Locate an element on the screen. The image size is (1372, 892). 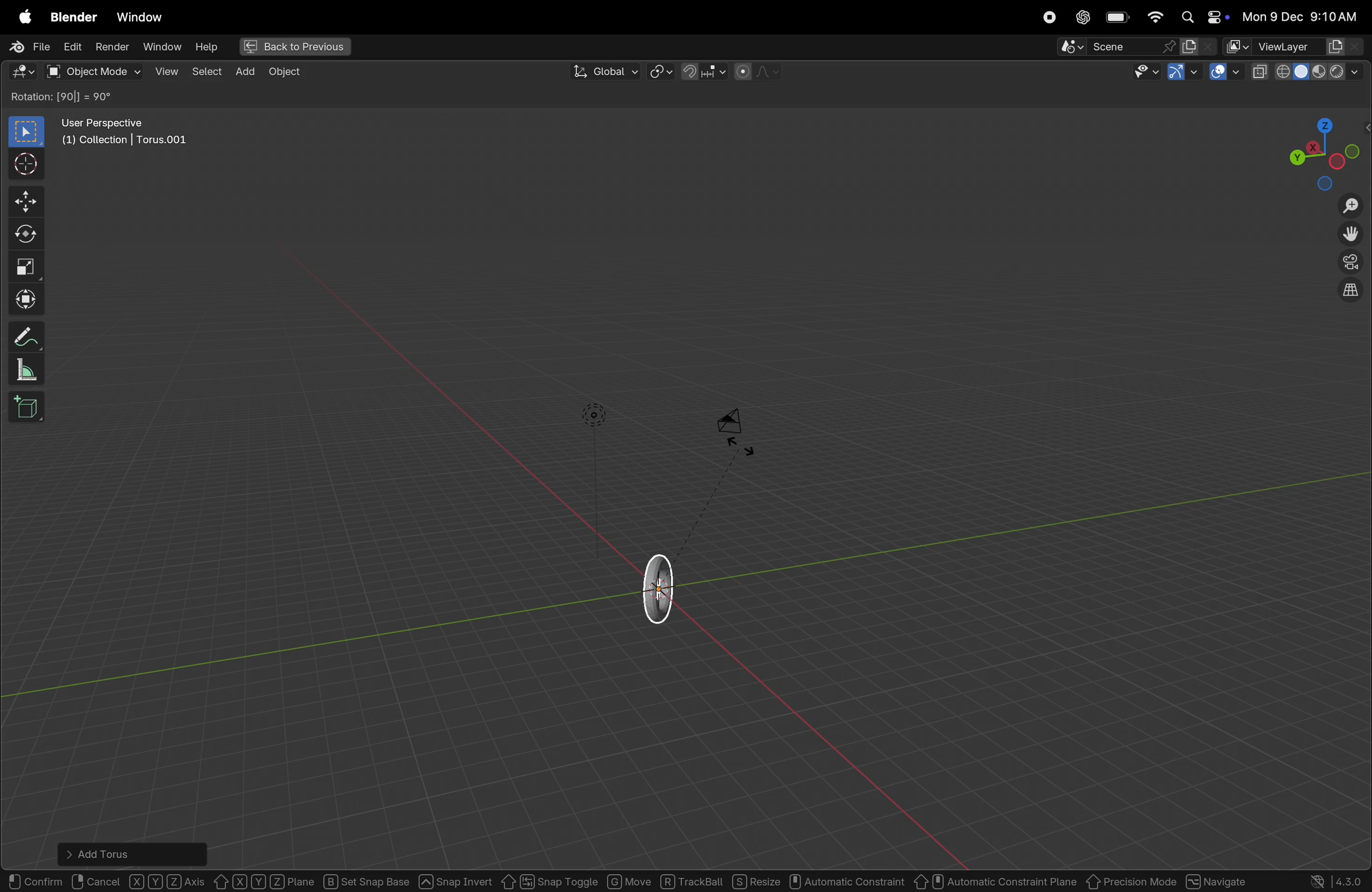
rotation is located at coordinates (31, 98).